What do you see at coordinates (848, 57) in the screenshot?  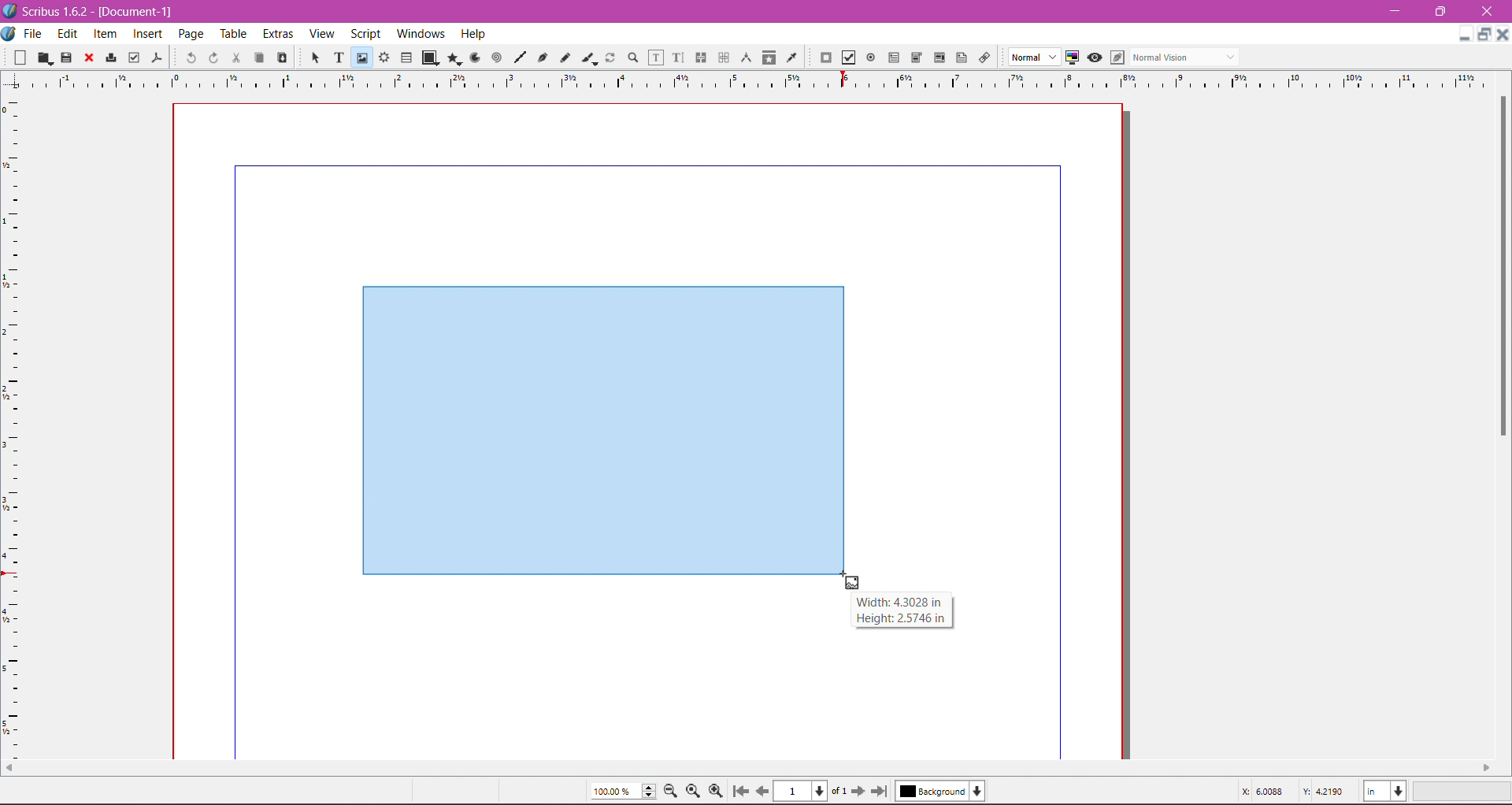 I see `PDF Check Box` at bounding box center [848, 57].